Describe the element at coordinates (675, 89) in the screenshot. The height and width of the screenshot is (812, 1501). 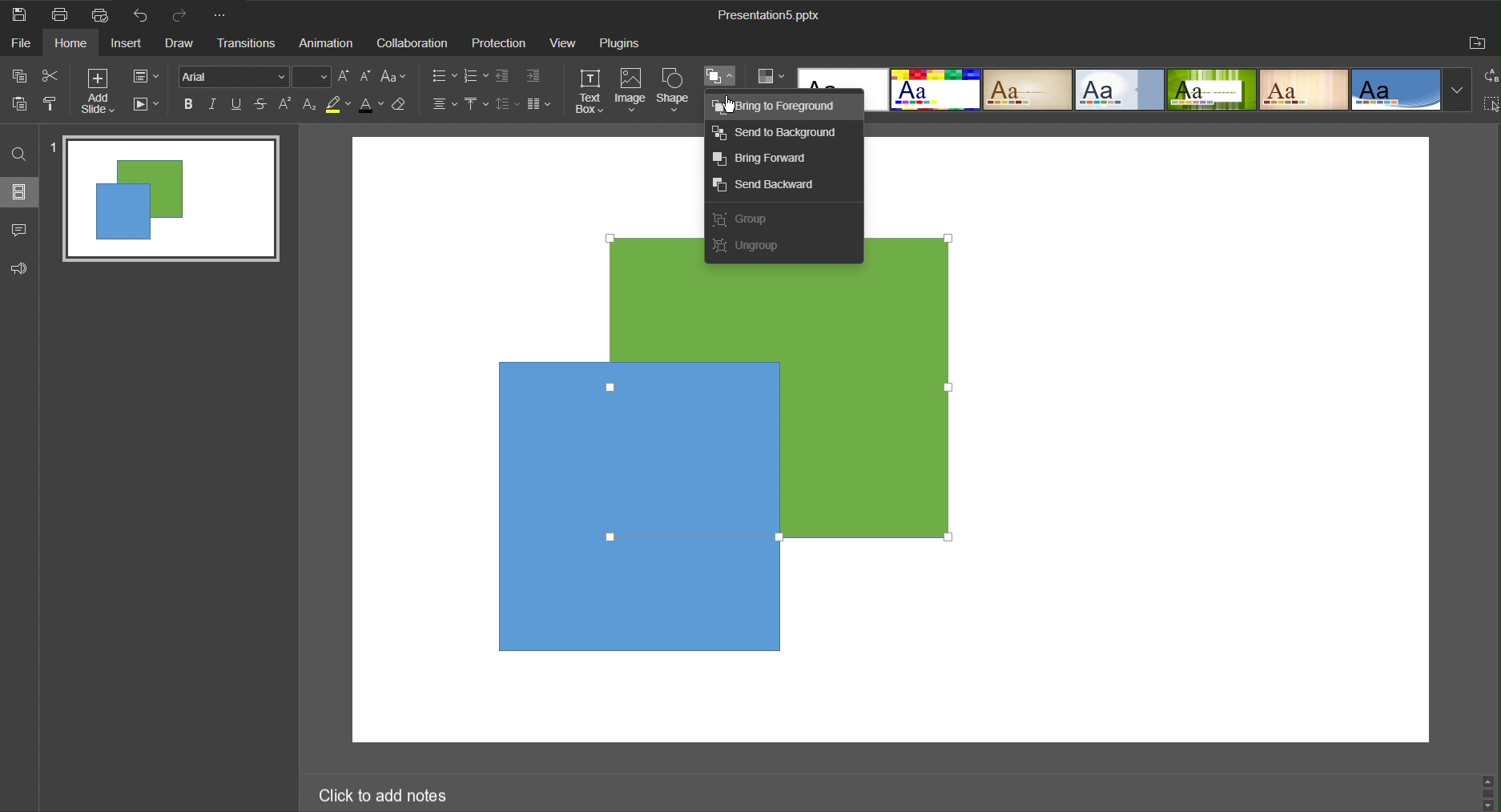
I see `Shape` at that location.